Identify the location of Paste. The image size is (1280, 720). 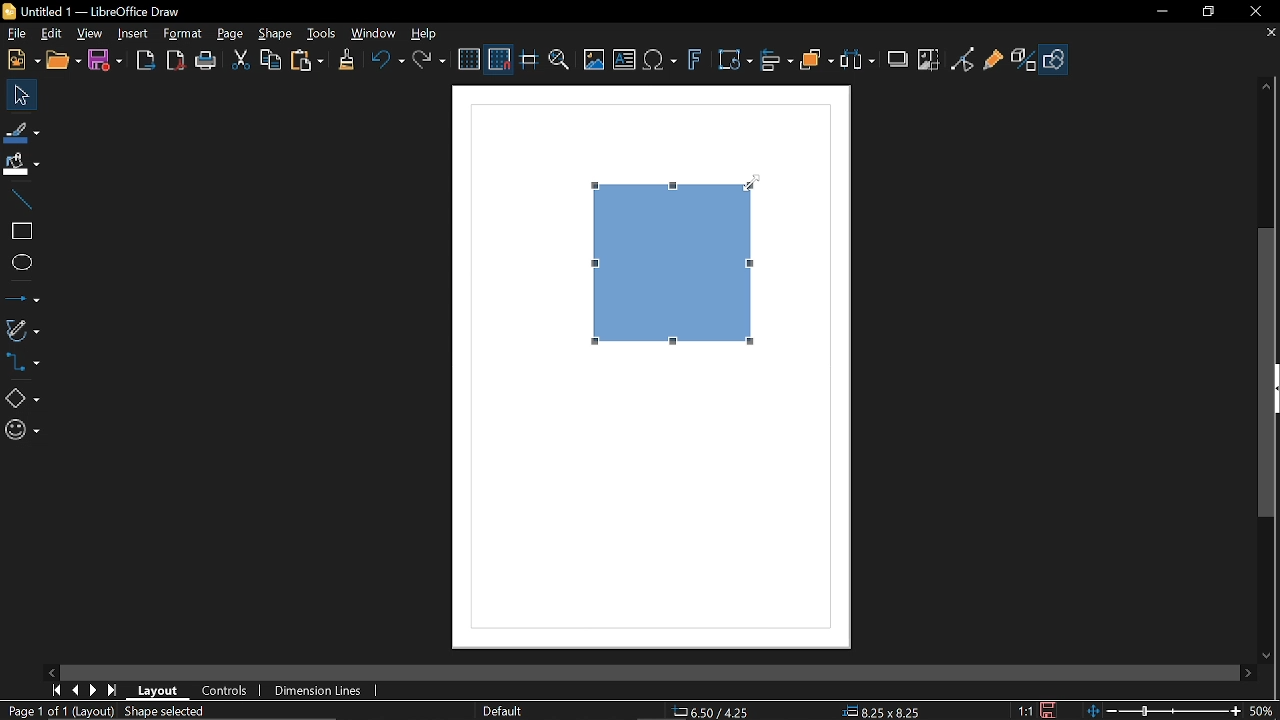
(307, 62).